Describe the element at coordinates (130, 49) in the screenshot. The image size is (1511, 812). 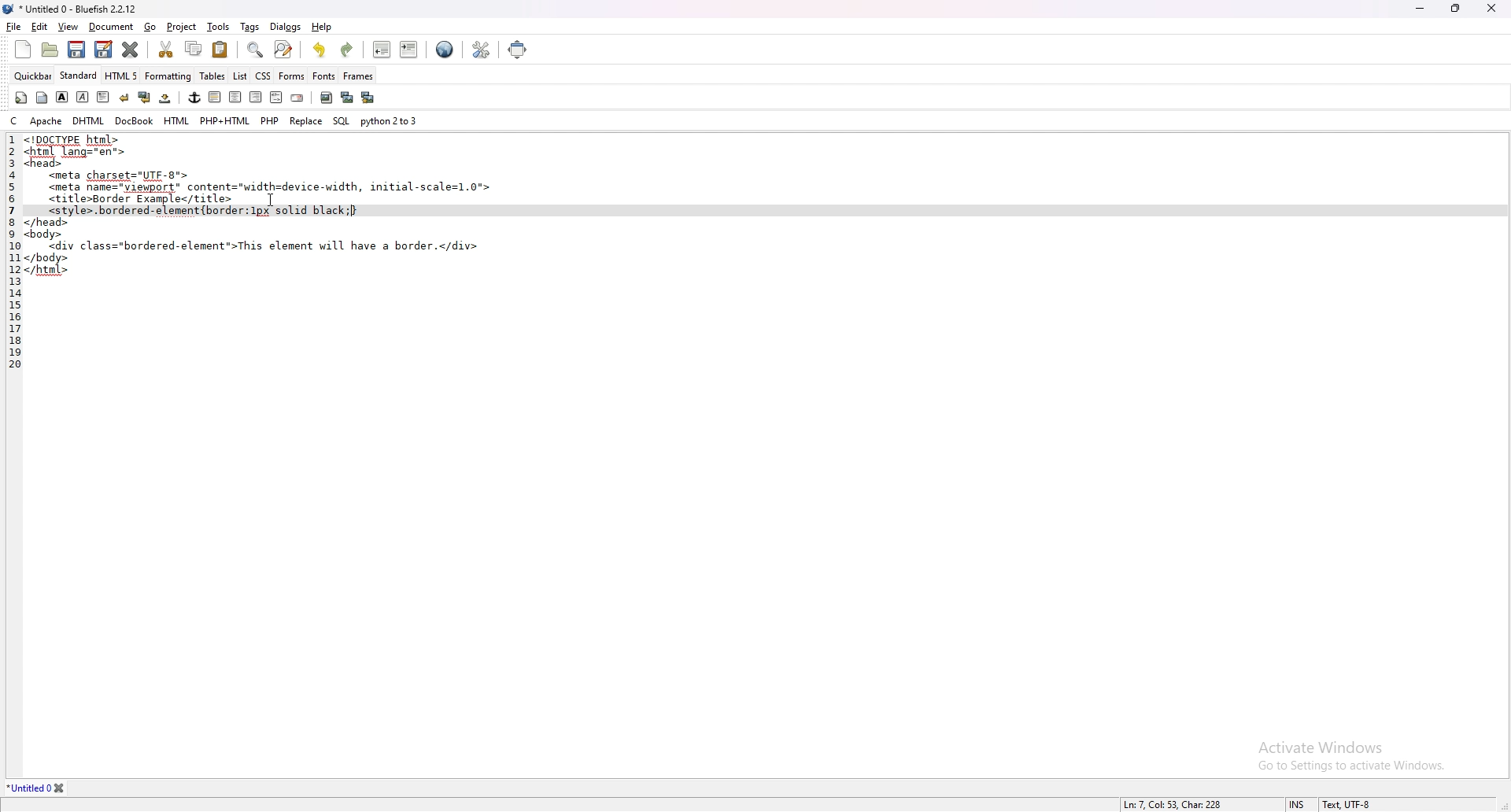
I see `close current file` at that location.